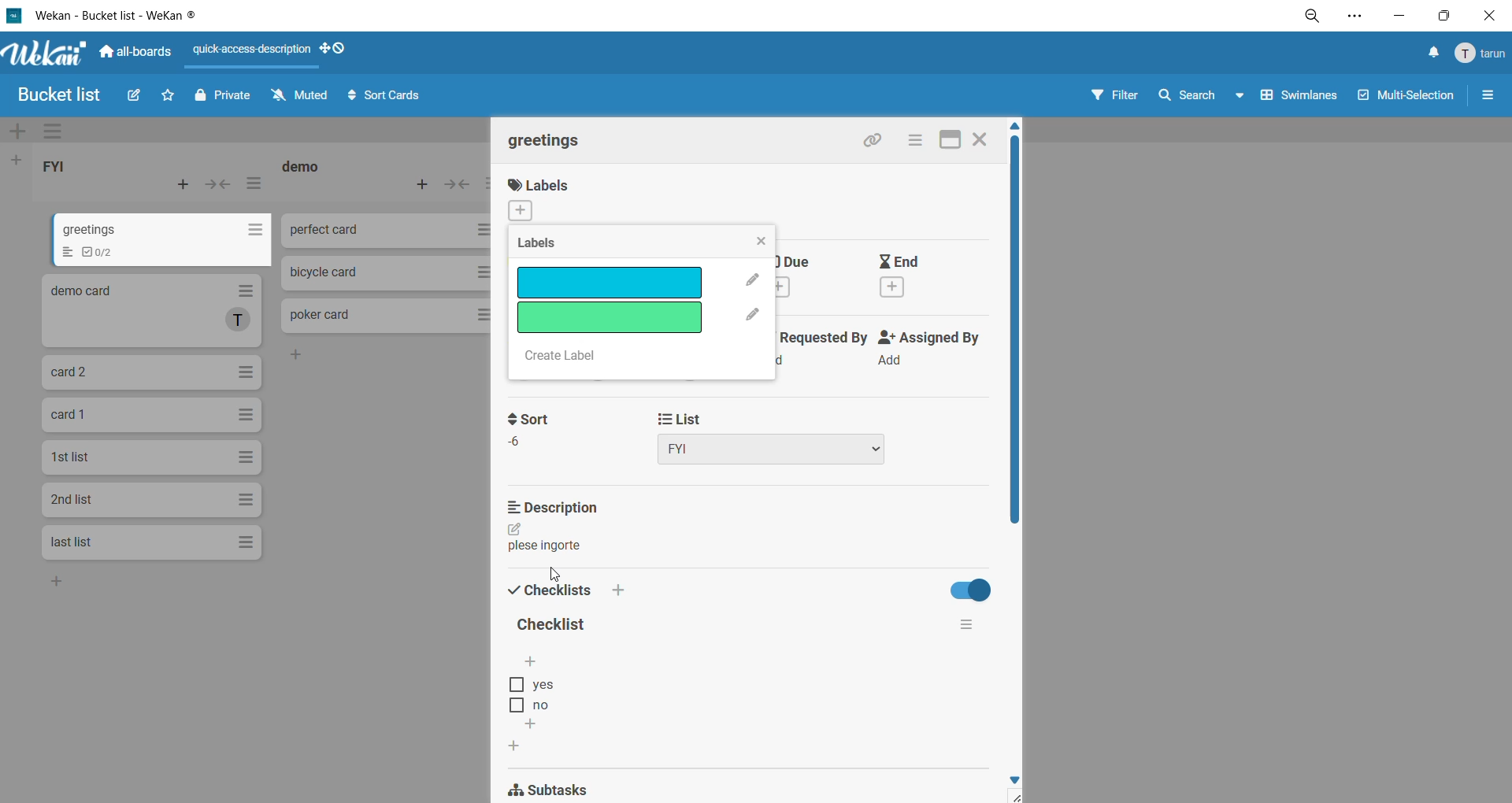 The height and width of the screenshot is (803, 1512). Describe the element at coordinates (50, 132) in the screenshot. I see `swimlane actions` at that location.